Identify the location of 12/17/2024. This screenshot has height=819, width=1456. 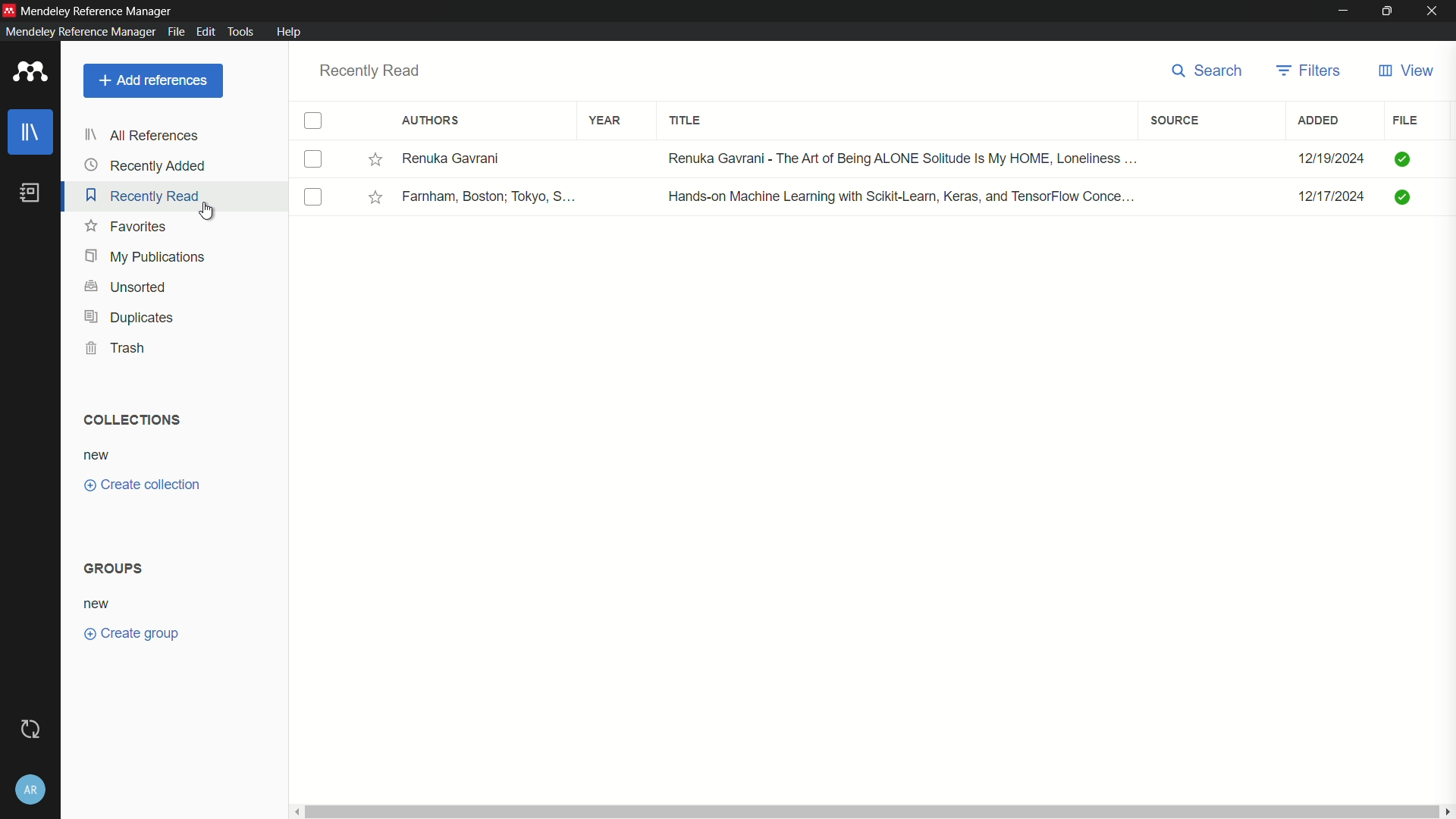
(1324, 199).